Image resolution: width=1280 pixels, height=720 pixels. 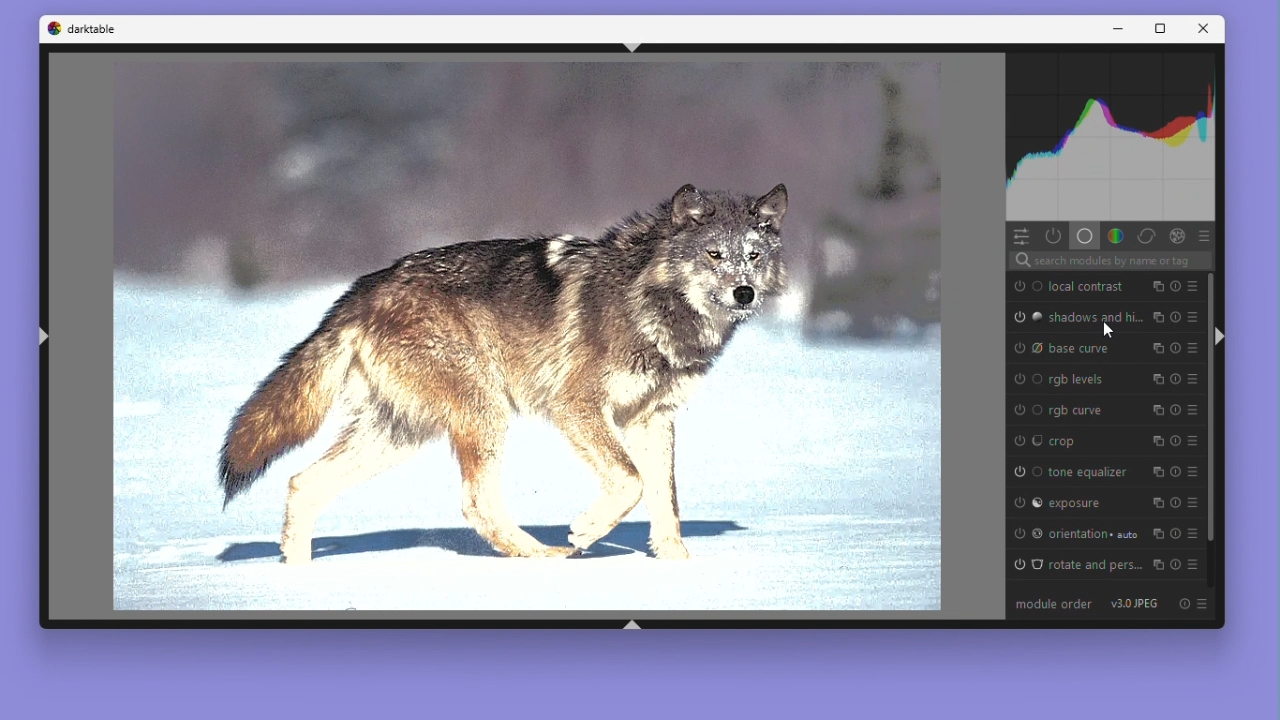 What do you see at coordinates (1092, 472) in the screenshot?
I see `tone equalizer` at bounding box center [1092, 472].